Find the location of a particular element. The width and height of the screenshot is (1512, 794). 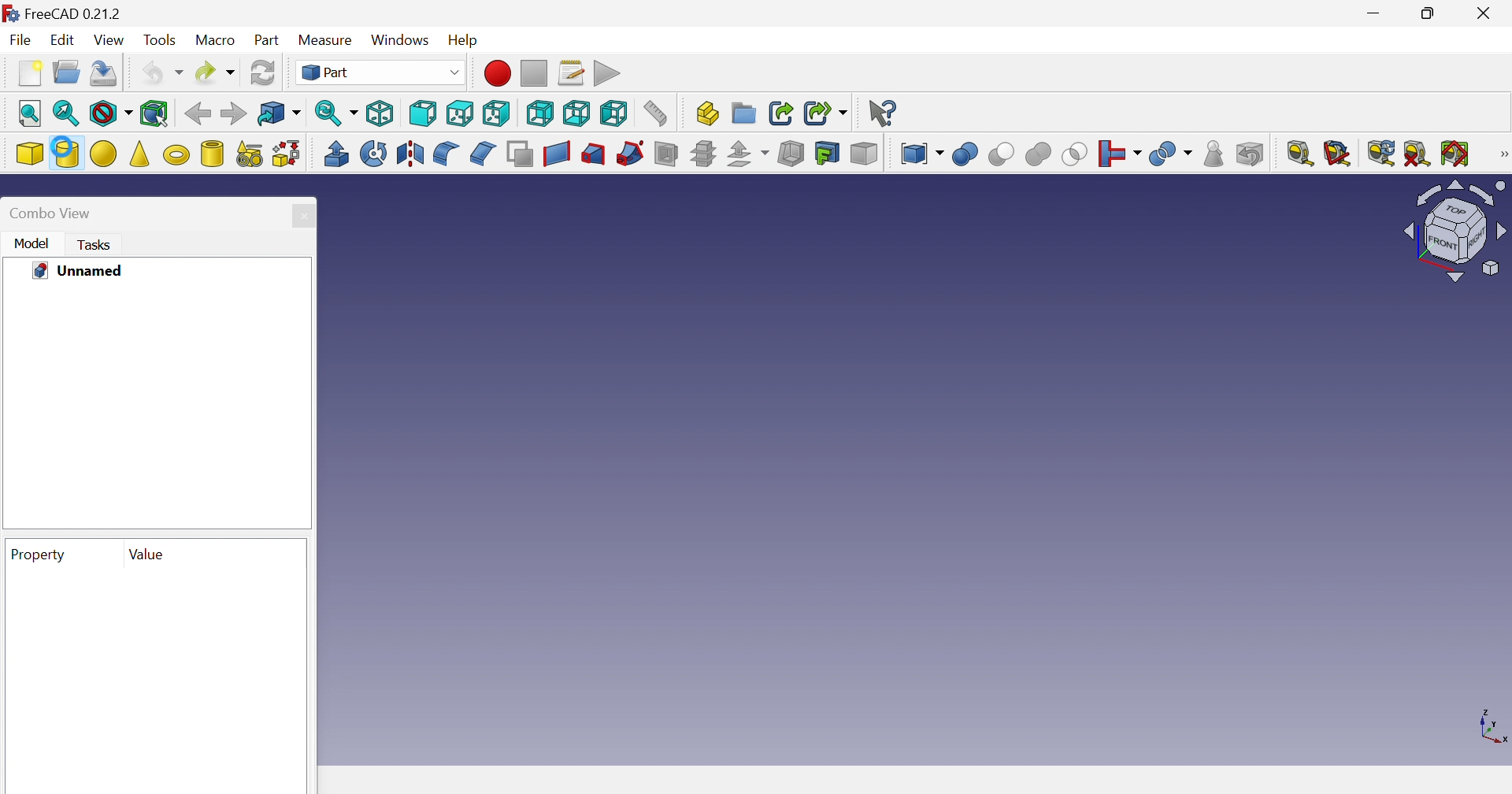

Macro is located at coordinates (216, 40).